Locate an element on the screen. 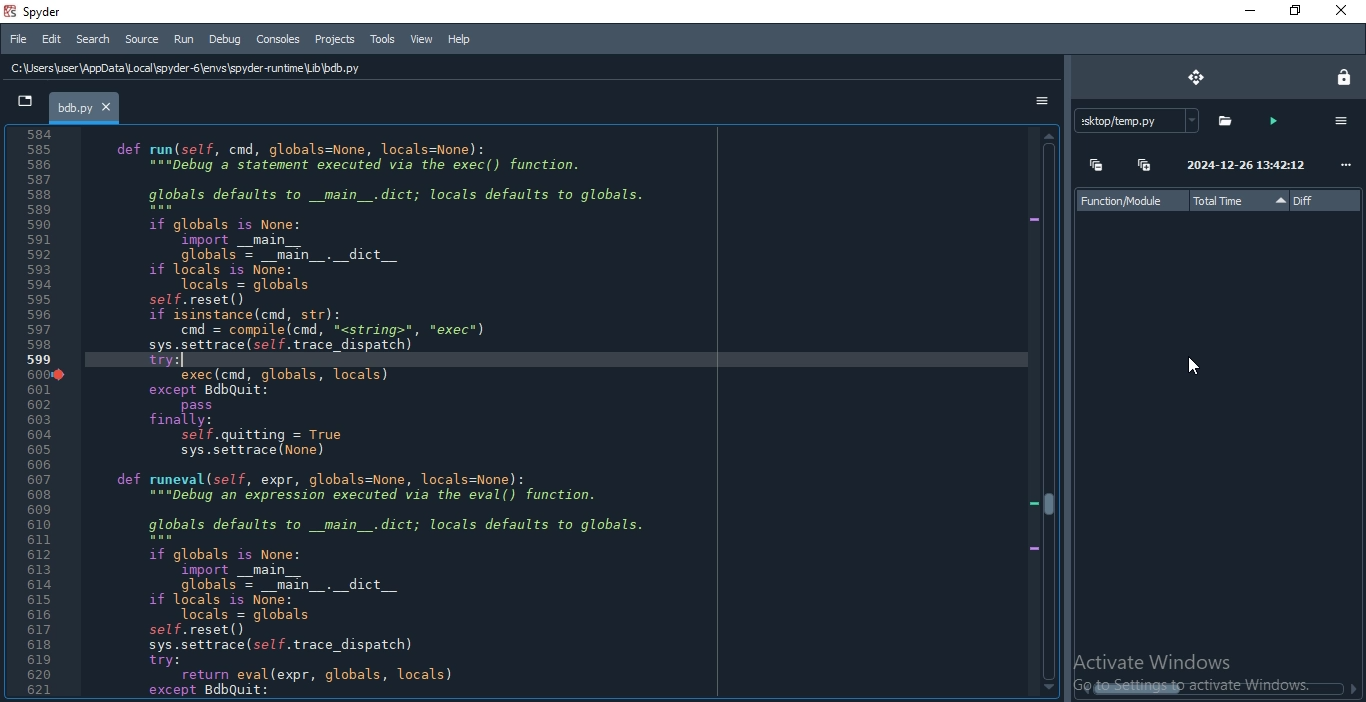 This screenshot has width=1366, height=702. file info is located at coordinates (1222, 429).